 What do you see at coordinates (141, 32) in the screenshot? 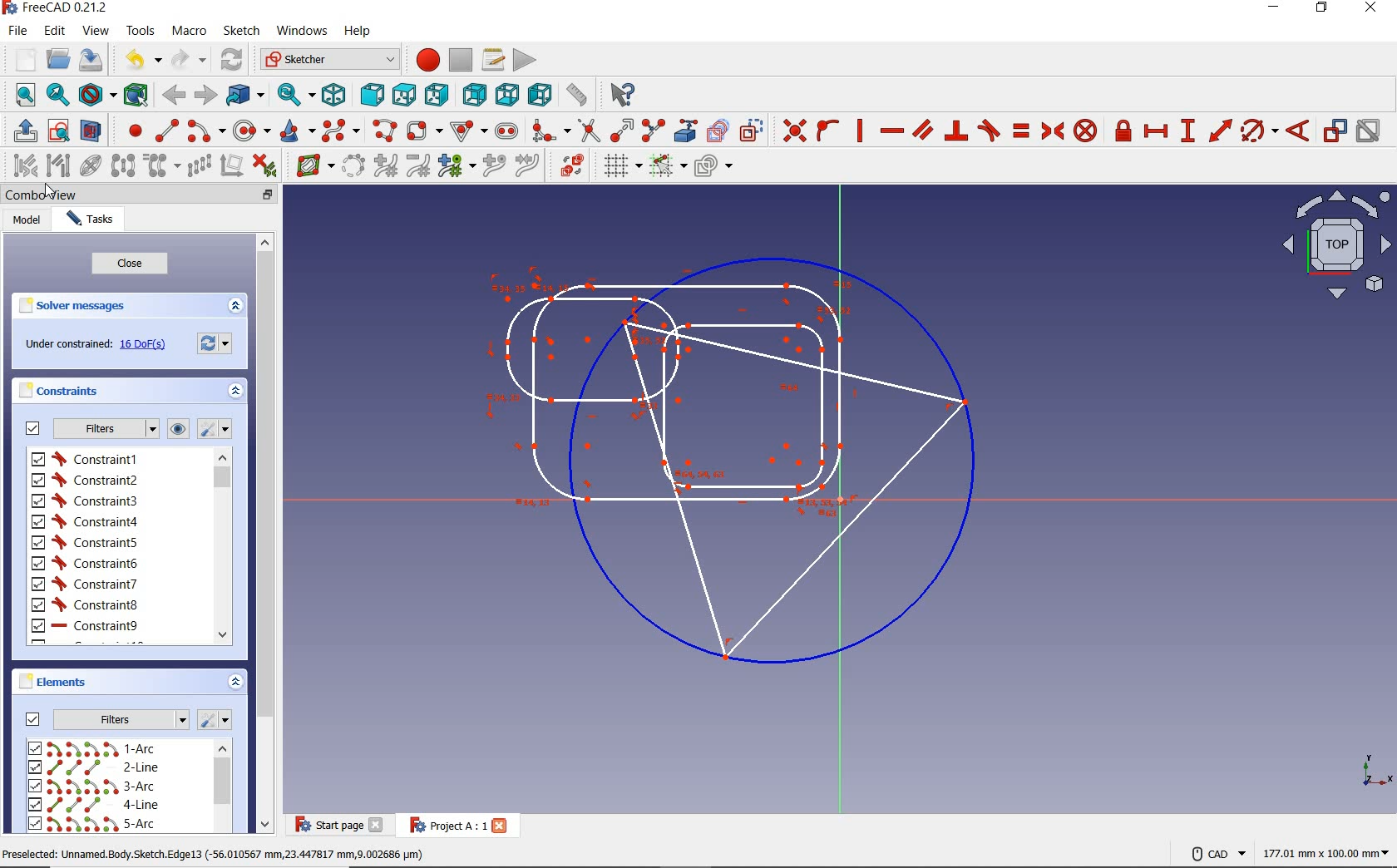
I see `tools` at bounding box center [141, 32].